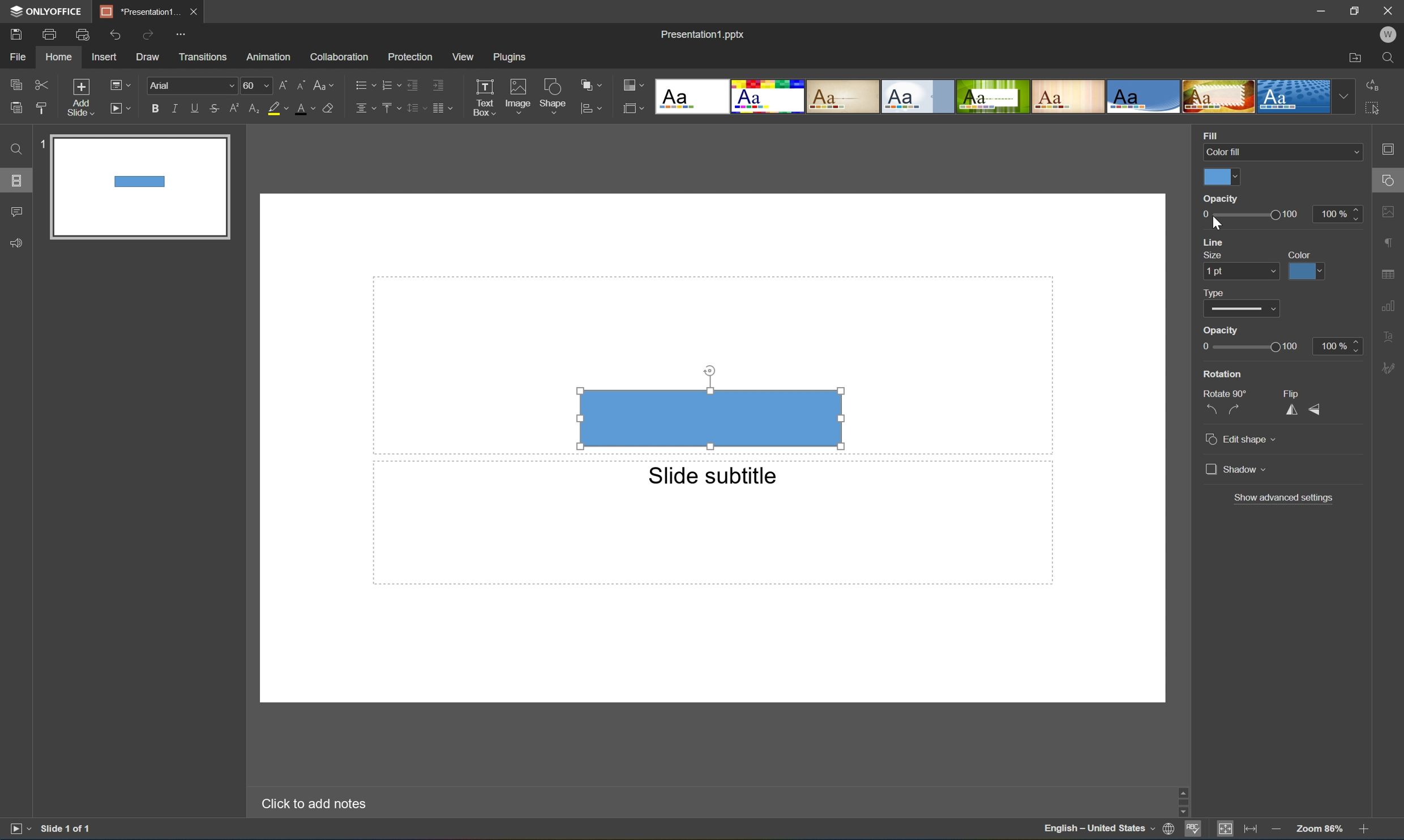 This screenshot has height=840, width=1404. I want to click on Insert column, so click(446, 108).